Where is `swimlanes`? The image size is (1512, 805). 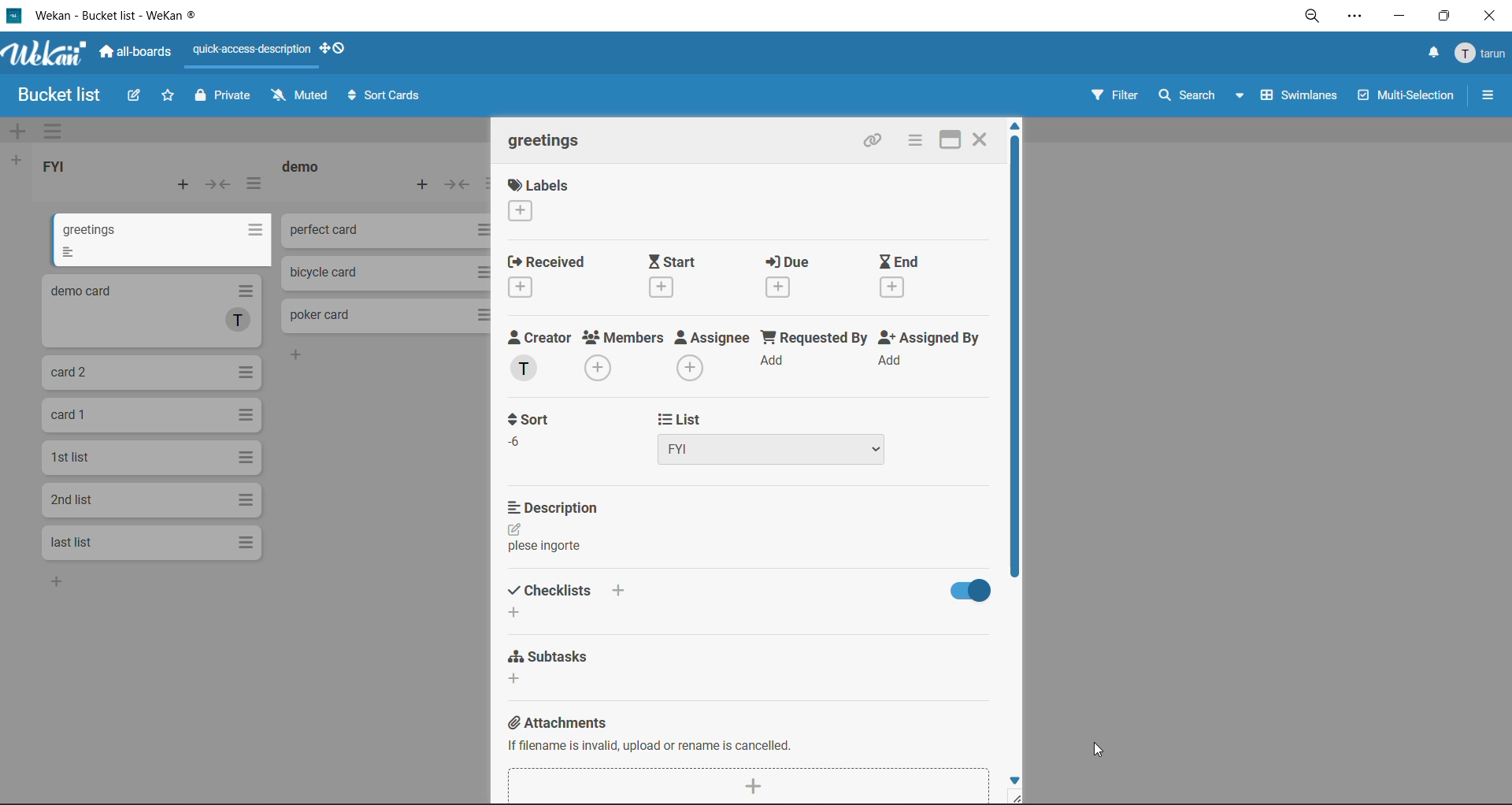
swimlanes is located at coordinates (1304, 99).